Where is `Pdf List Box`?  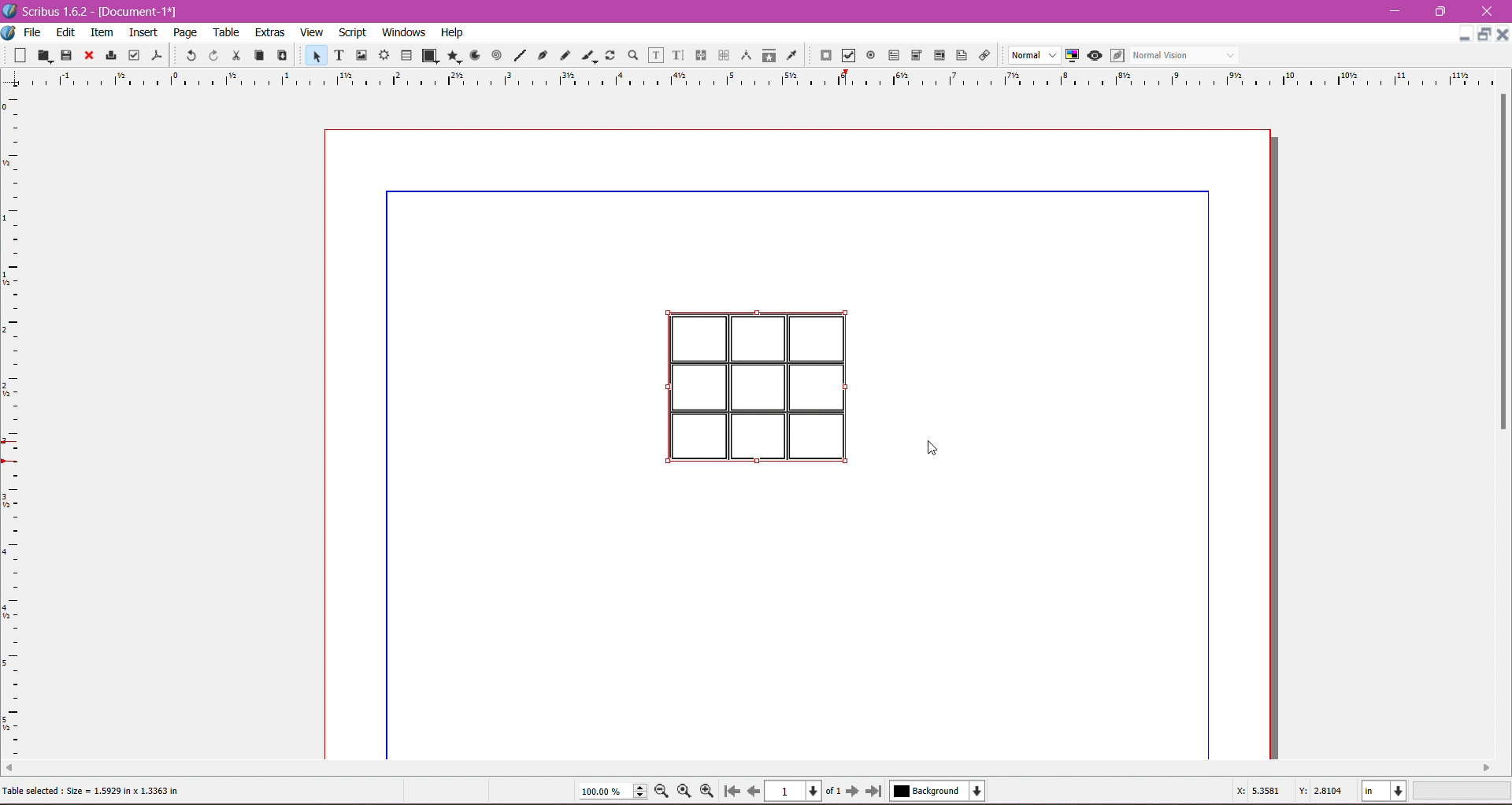 Pdf List Box is located at coordinates (937, 56).